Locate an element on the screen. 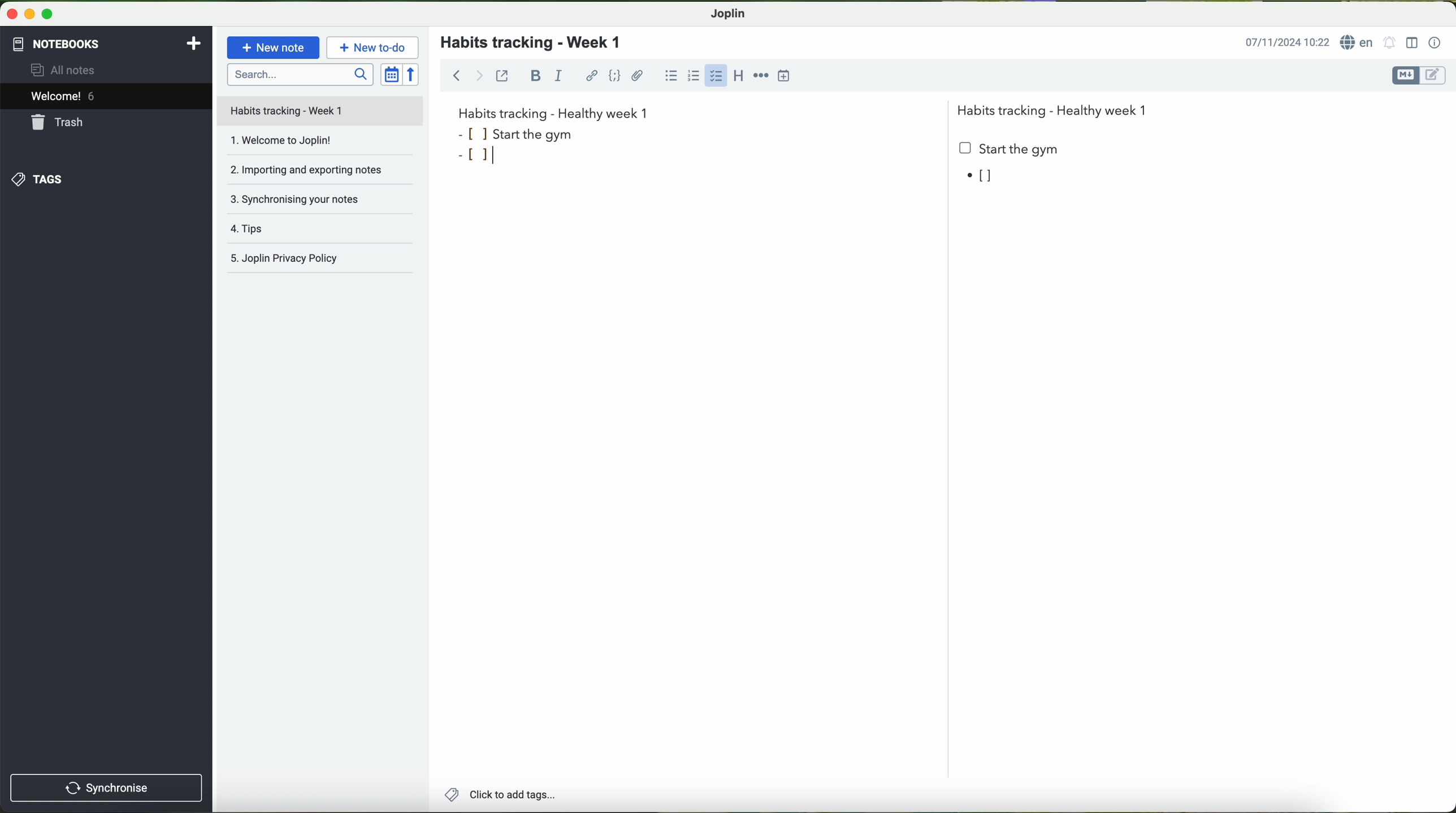  trash is located at coordinates (59, 122).